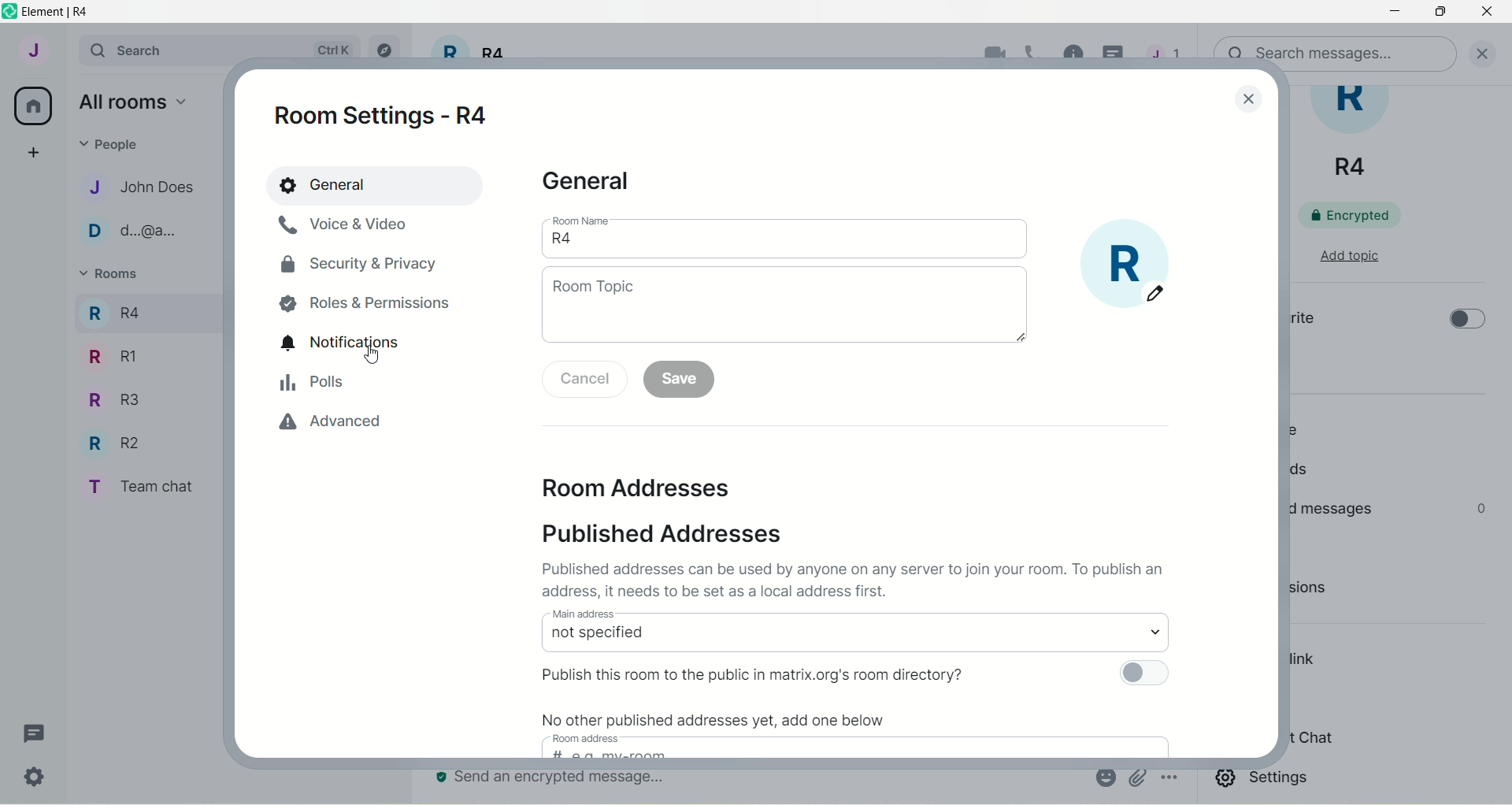 The height and width of the screenshot is (805, 1512). I want to click on No other published. addresses yet, add one below, so click(796, 733).